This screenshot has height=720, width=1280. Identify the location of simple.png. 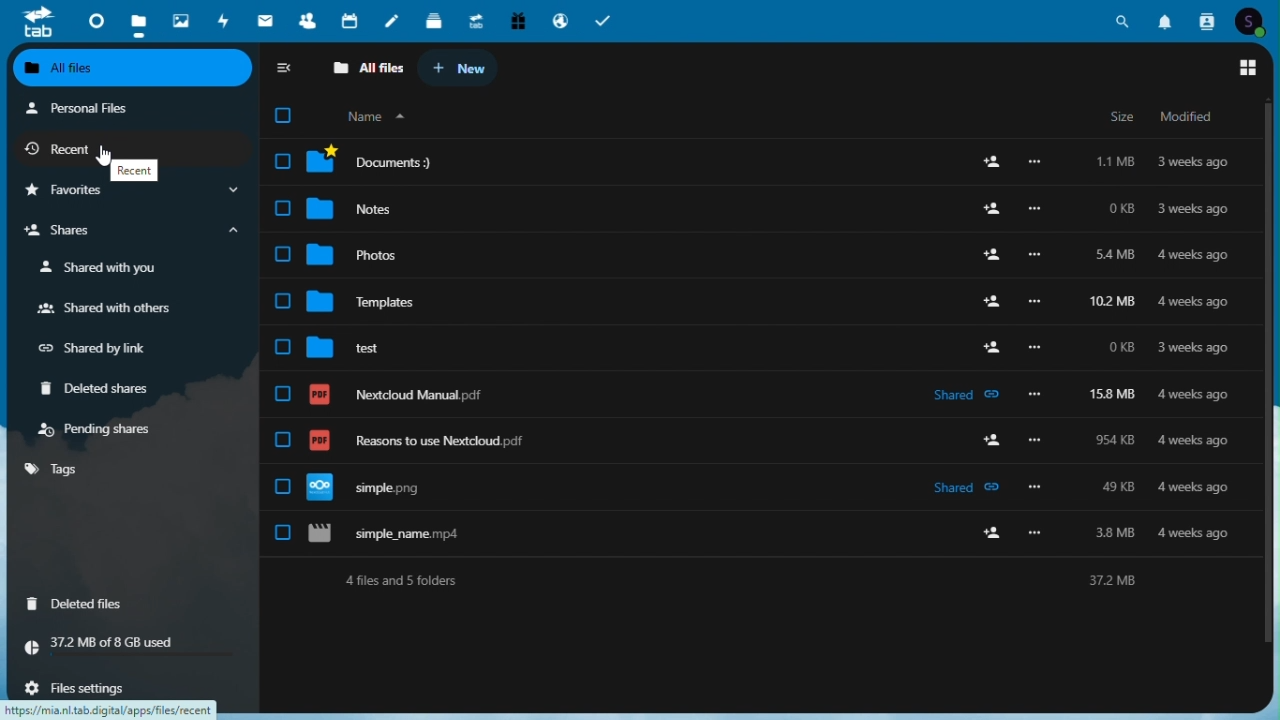
(754, 483).